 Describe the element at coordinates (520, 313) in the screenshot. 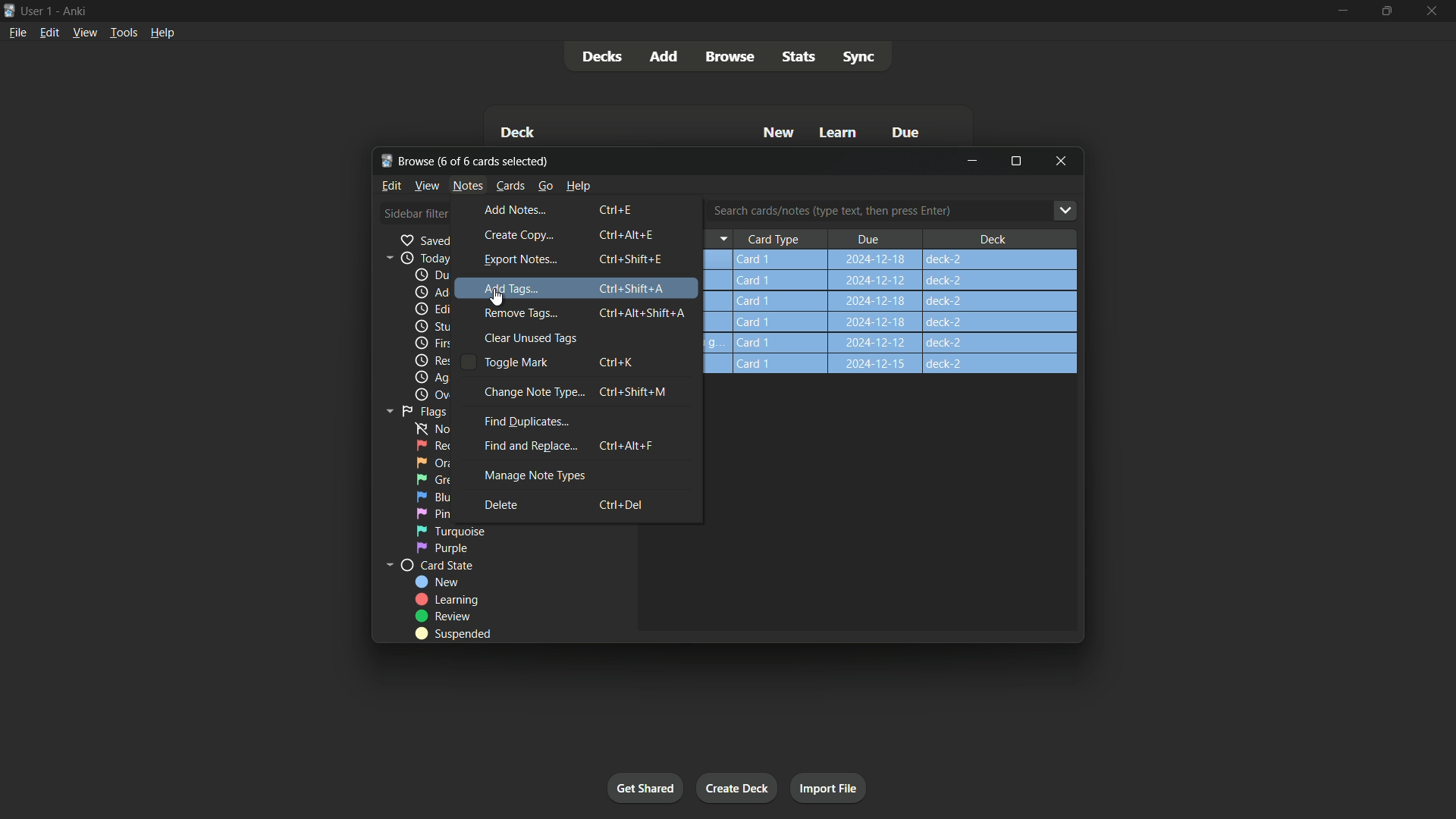

I see `remove tags...` at that location.